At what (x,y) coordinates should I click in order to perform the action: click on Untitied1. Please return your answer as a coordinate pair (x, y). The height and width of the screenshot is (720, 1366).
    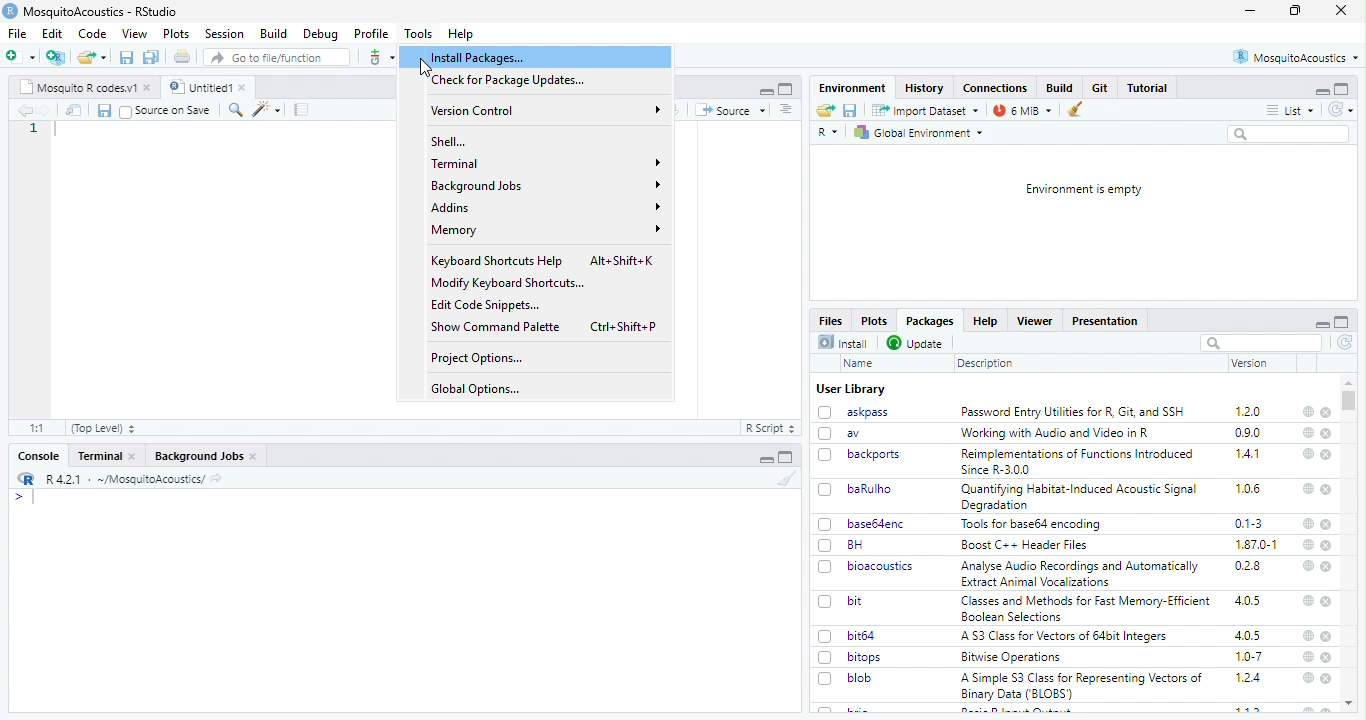
    Looking at the image, I should click on (198, 87).